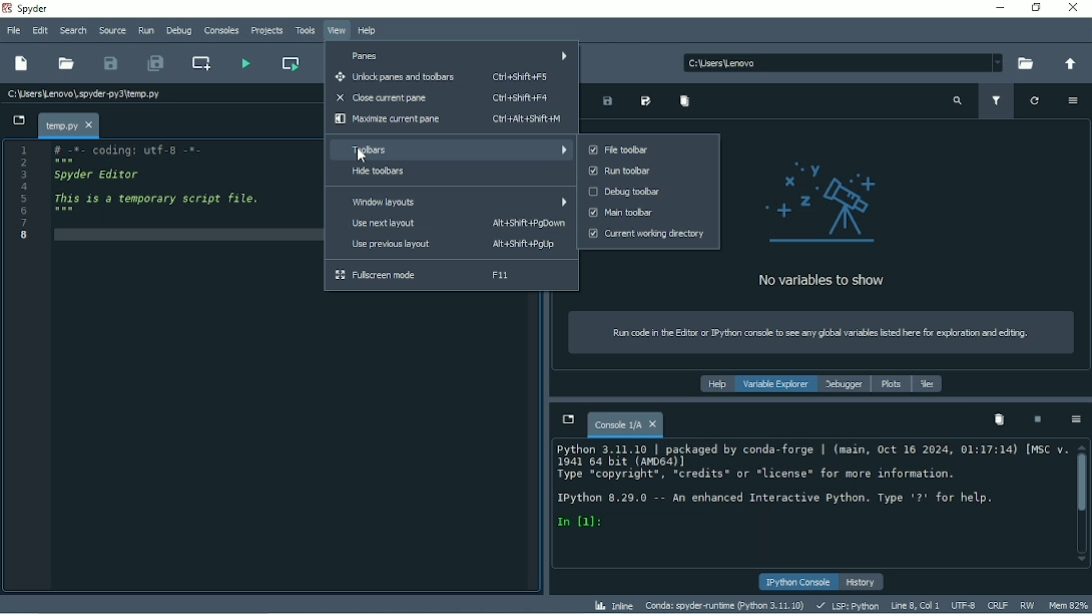 This screenshot has width=1092, height=614. What do you see at coordinates (22, 64) in the screenshot?
I see `New file` at bounding box center [22, 64].